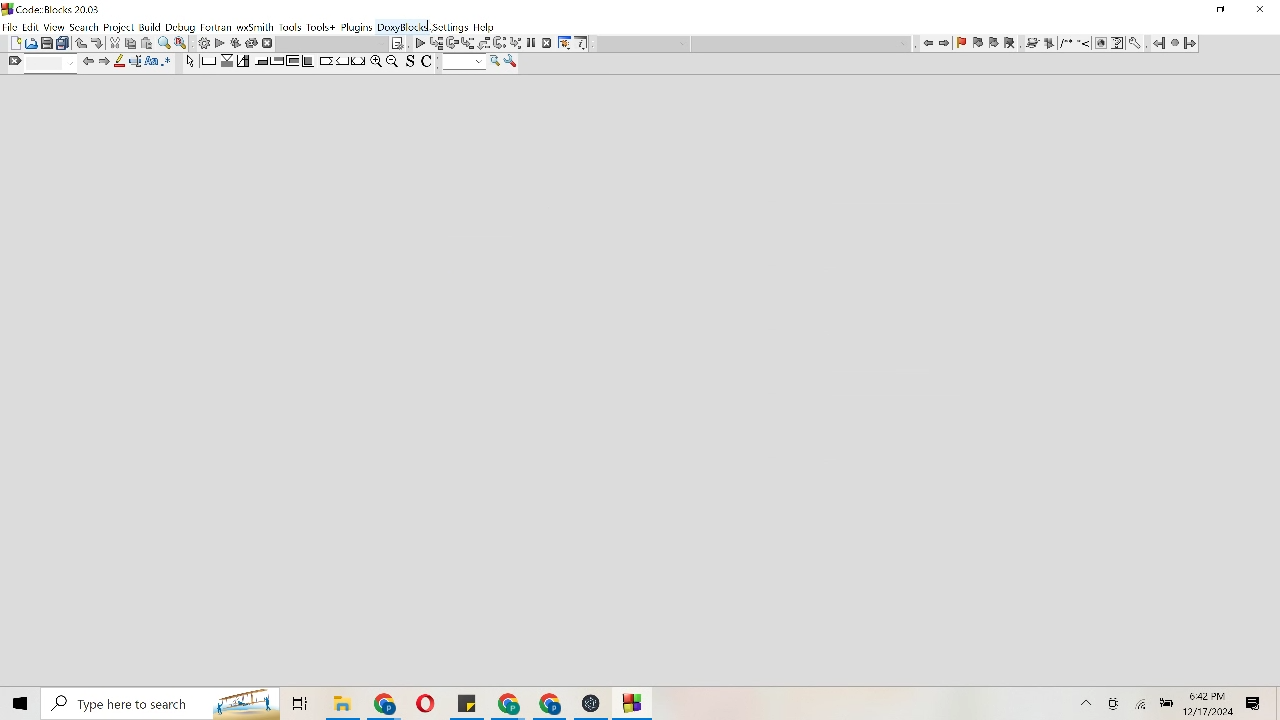  Describe the element at coordinates (165, 43) in the screenshot. I see `Find` at that location.